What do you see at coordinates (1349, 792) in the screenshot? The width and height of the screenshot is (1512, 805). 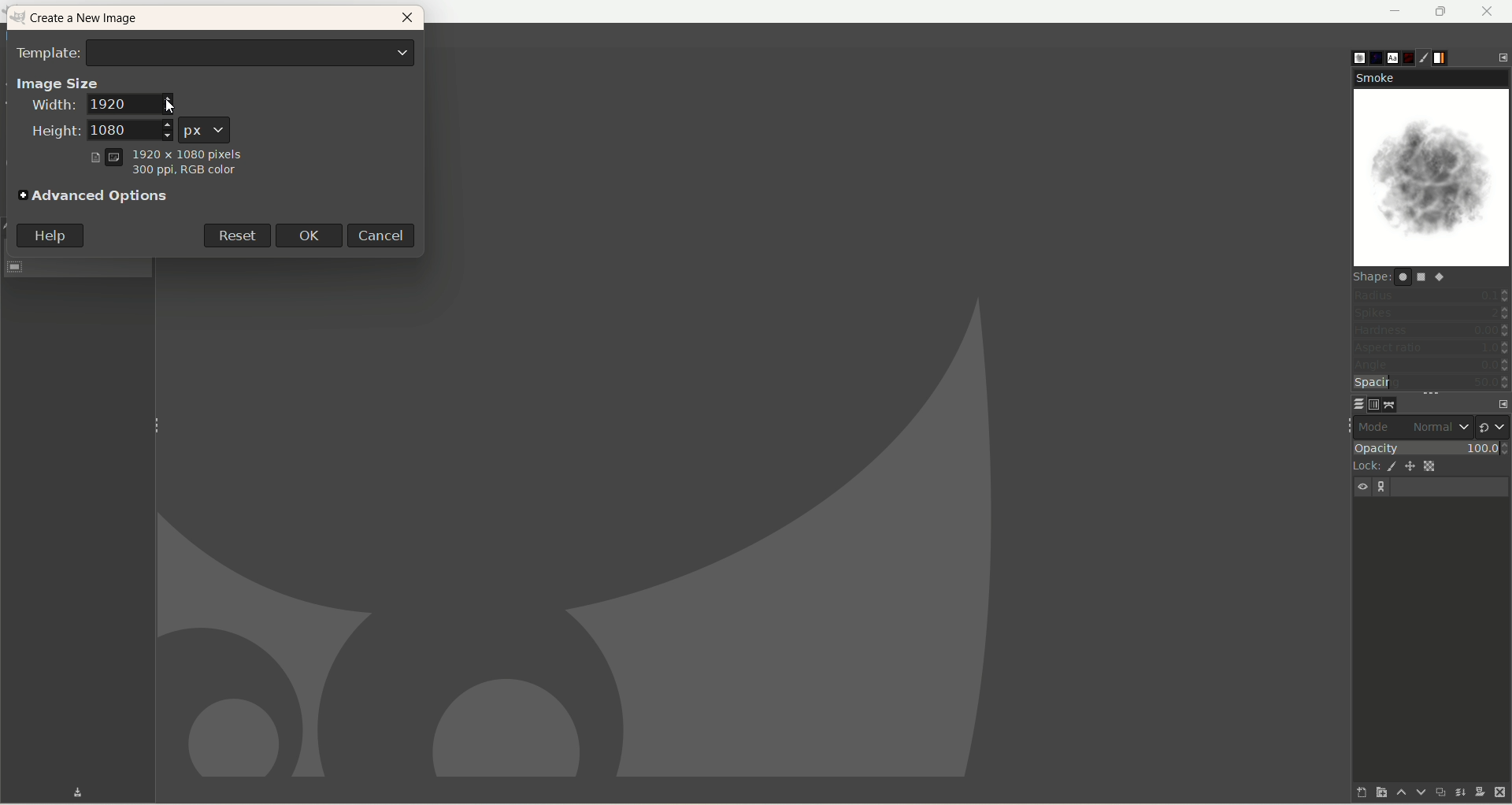 I see `create a new layer with last used values` at bounding box center [1349, 792].